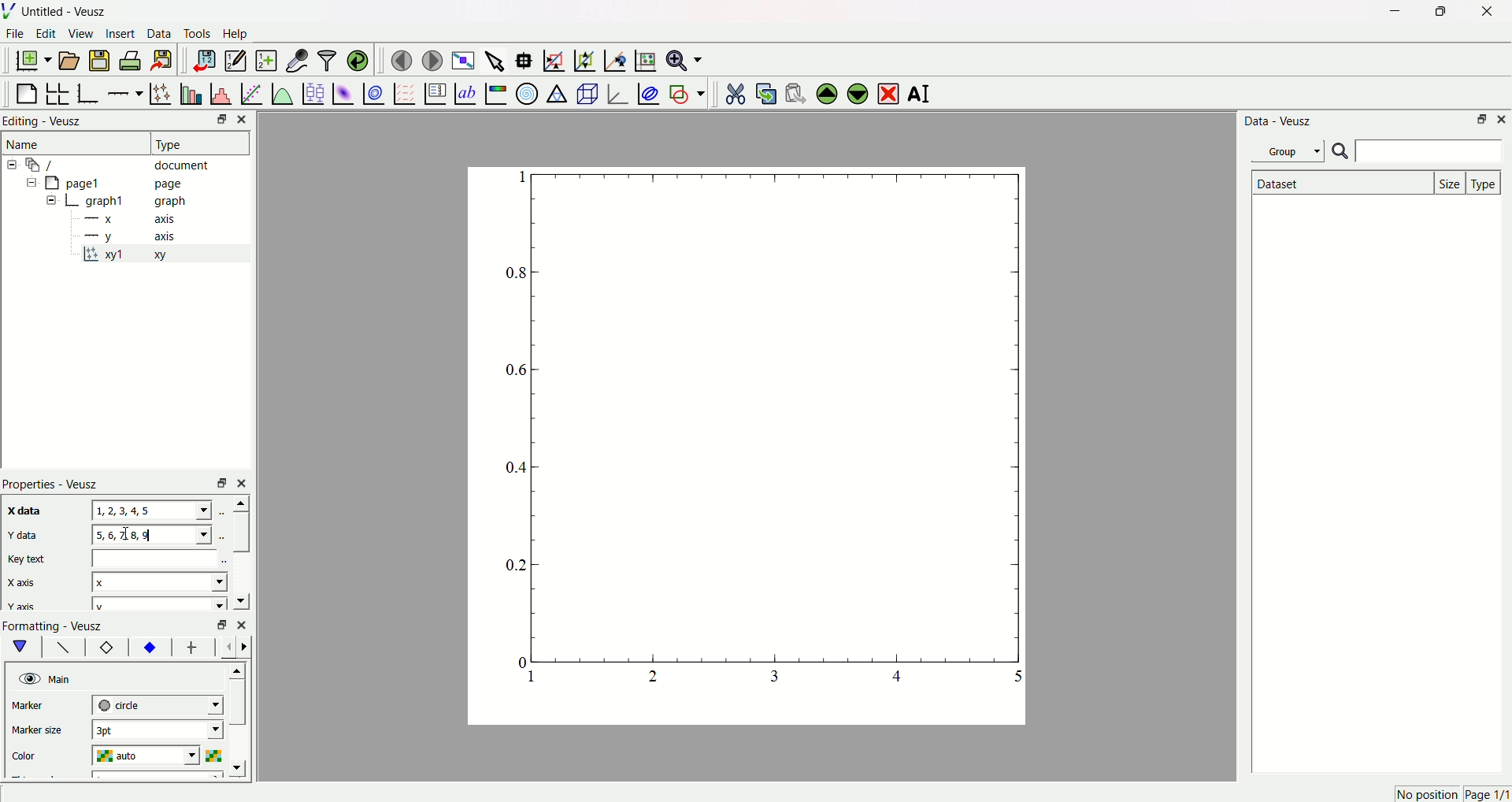 This screenshot has height=802, width=1512. I want to click on Marker, so click(42, 707).